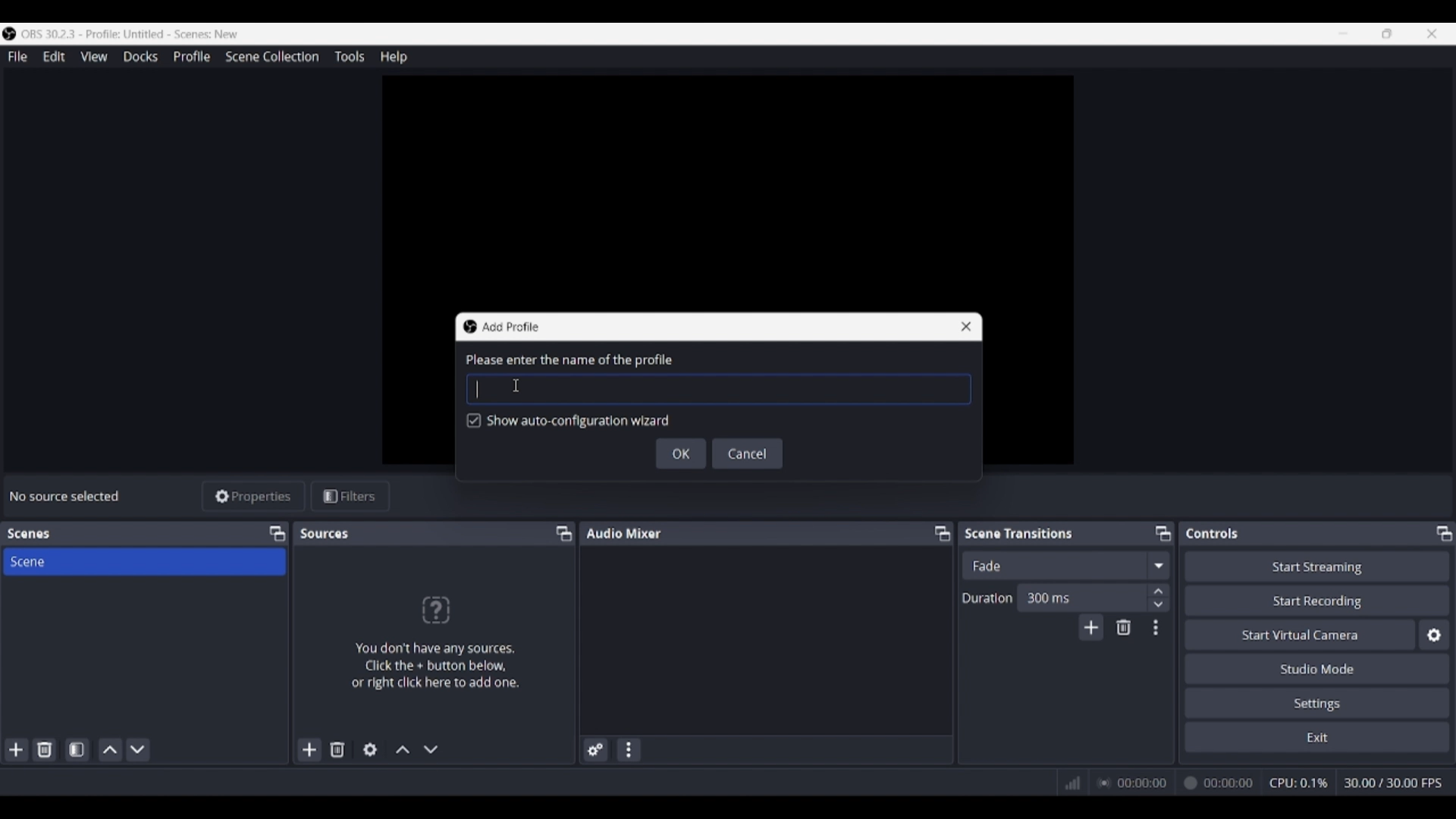 This screenshot has height=819, width=1456. I want to click on Profile menu, highlighted by cursor, so click(192, 57).